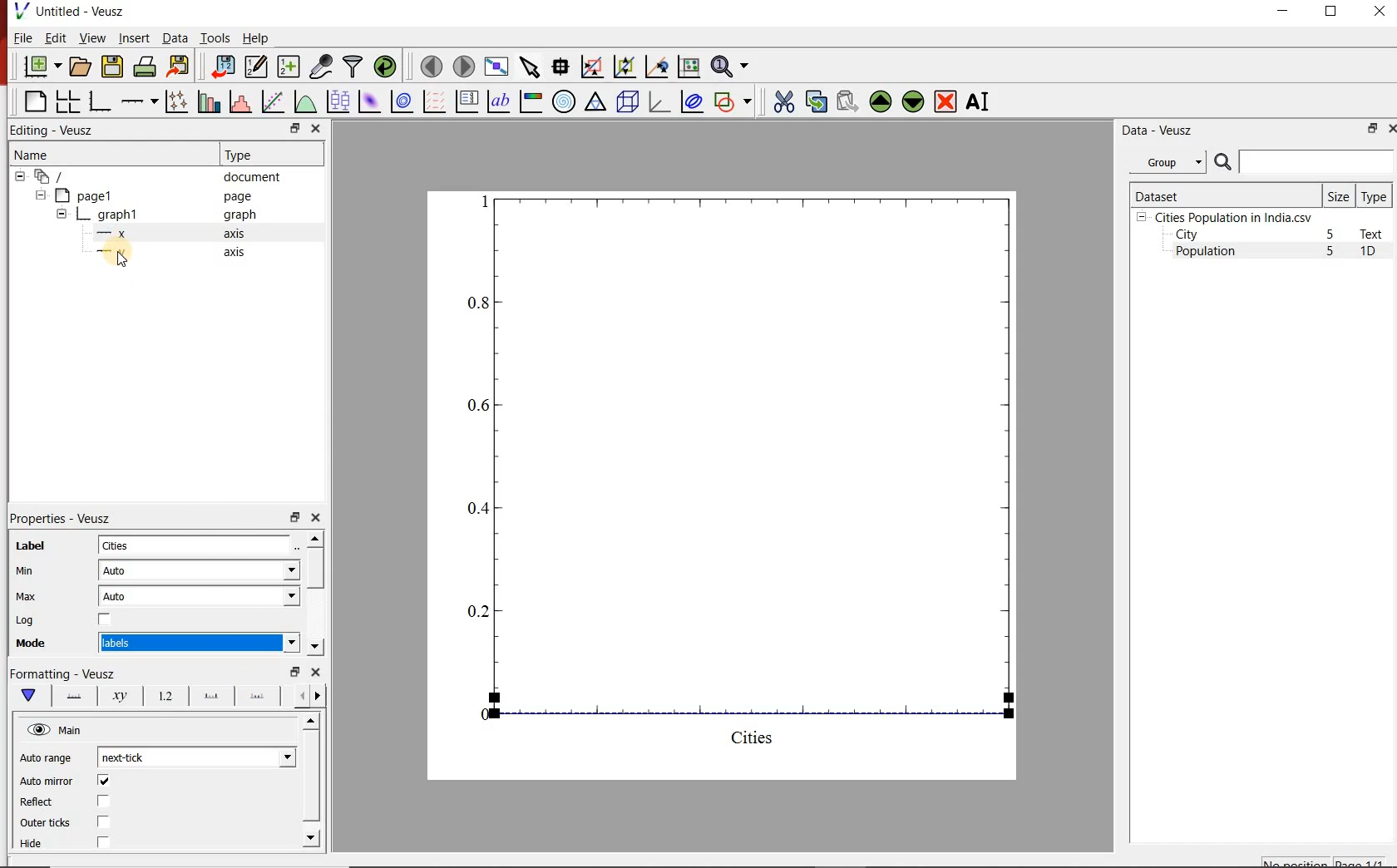  What do you see at coordinates (947, 101) in the screenshot?
I see `remove the selected widgets` at bounding box center [947, 101].